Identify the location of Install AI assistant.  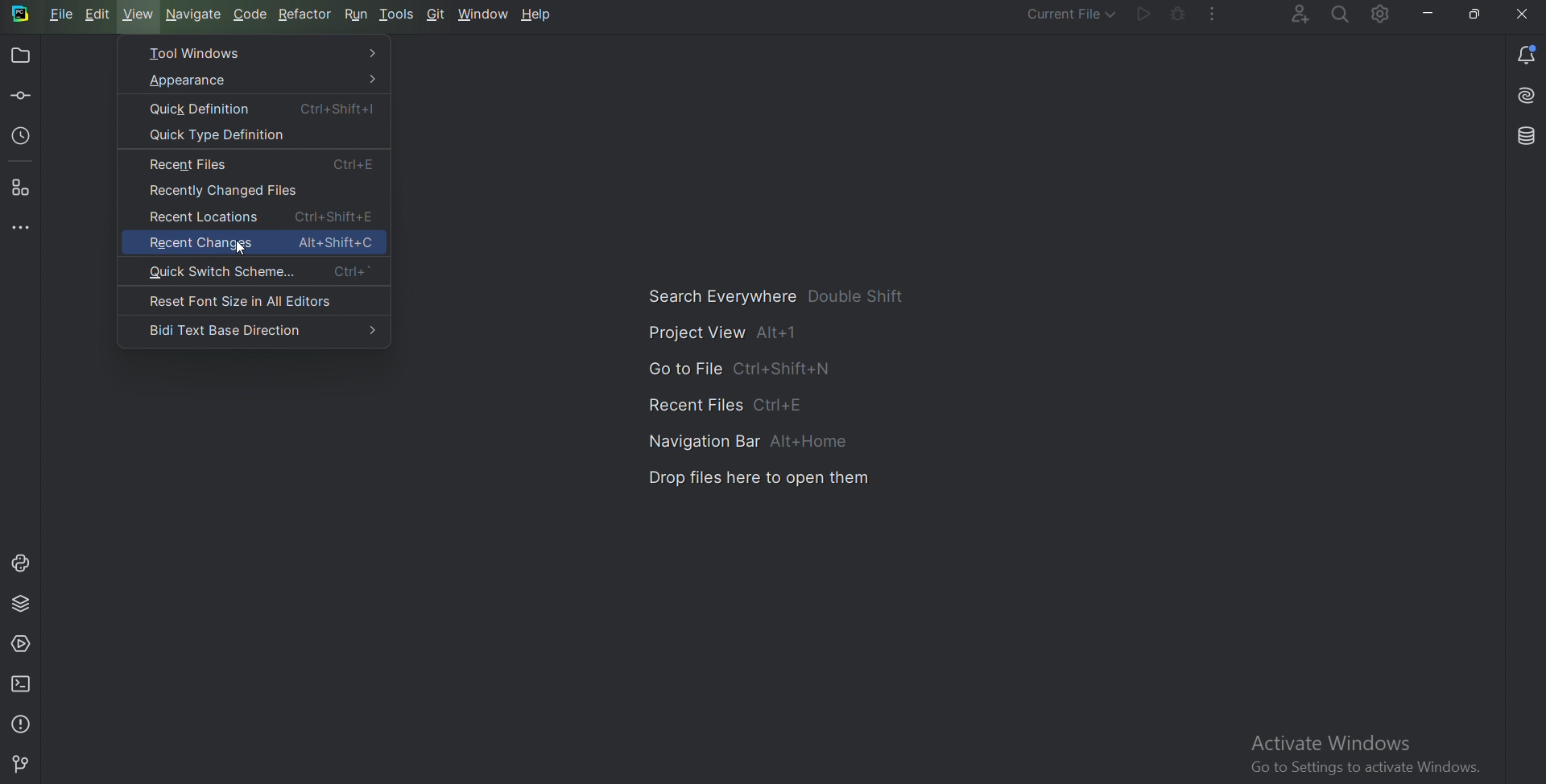
(1519, 95).